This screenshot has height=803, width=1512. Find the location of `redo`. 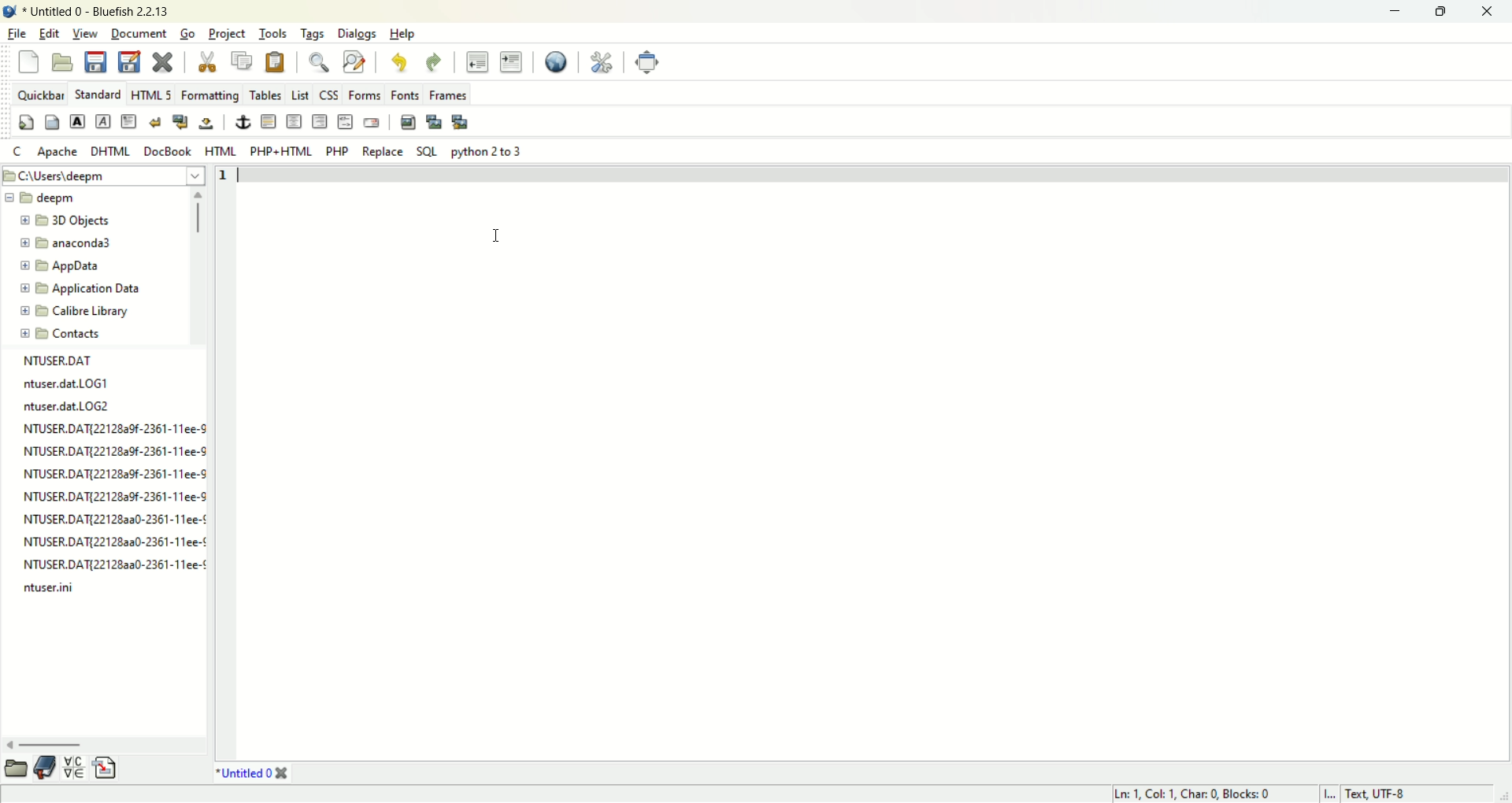

redo is located at coordinates (433, 62).